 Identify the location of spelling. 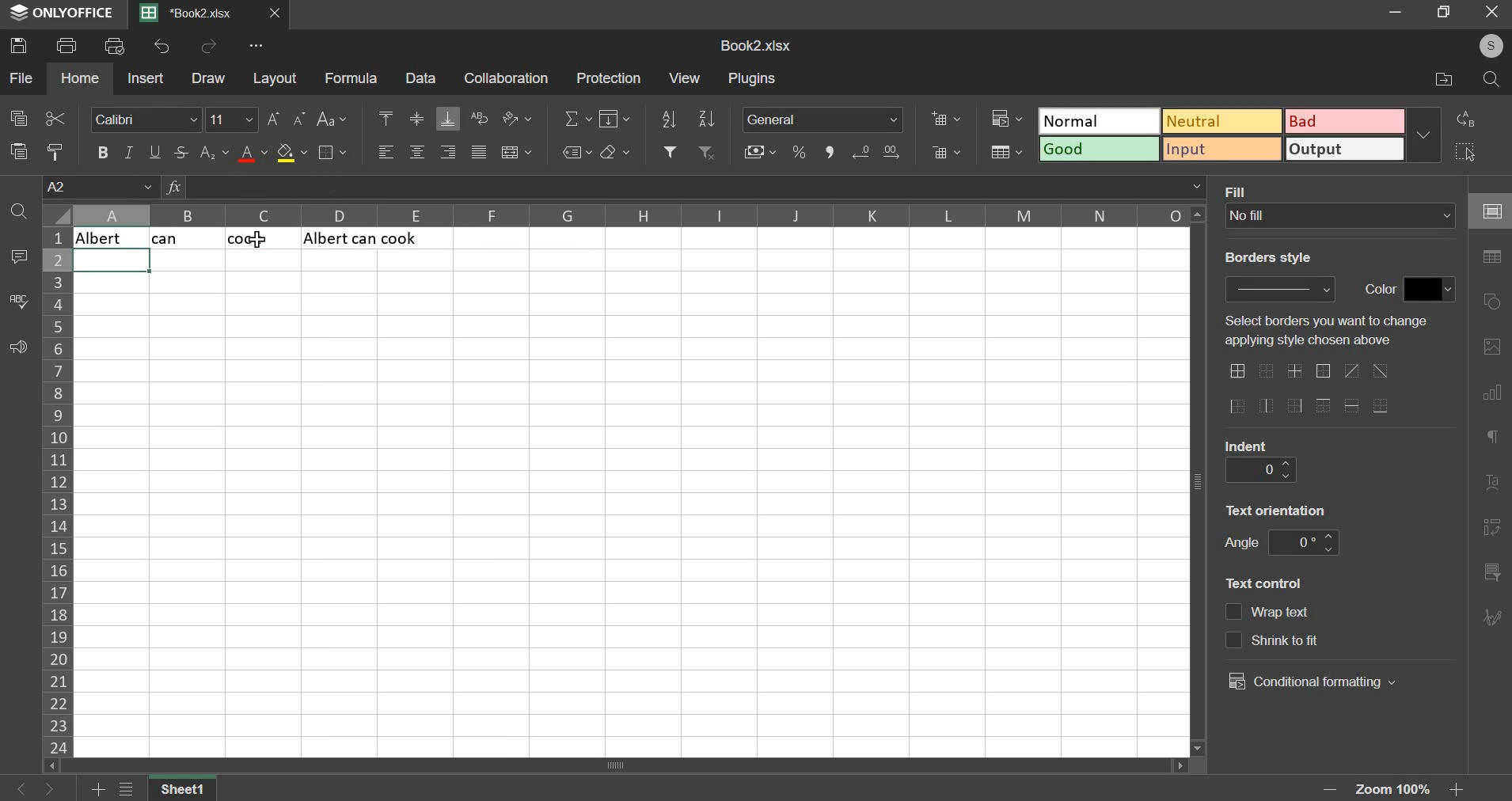
(18, 301).